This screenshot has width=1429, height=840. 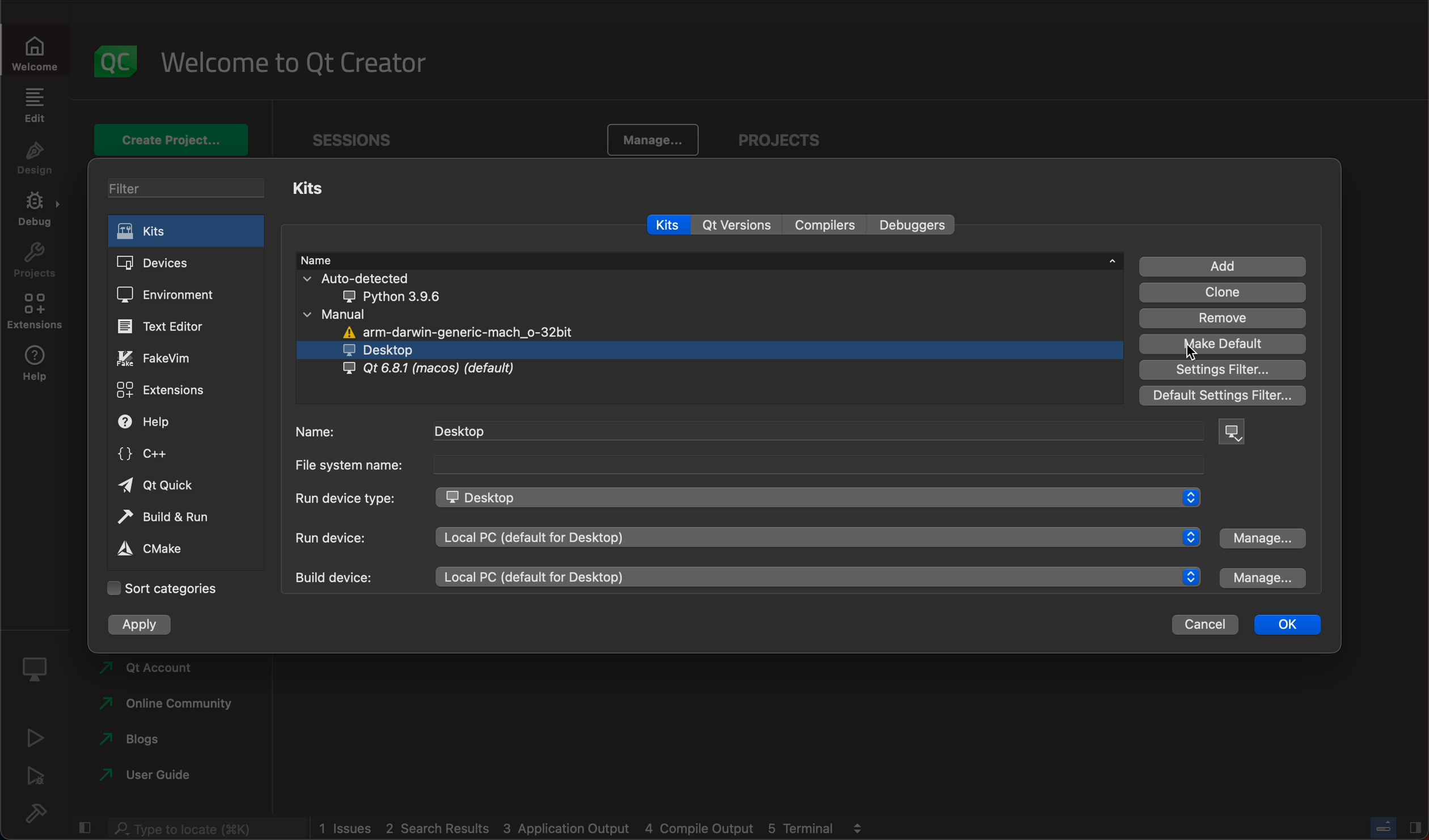 I want to click on text editor, so click(x=169, y=326).